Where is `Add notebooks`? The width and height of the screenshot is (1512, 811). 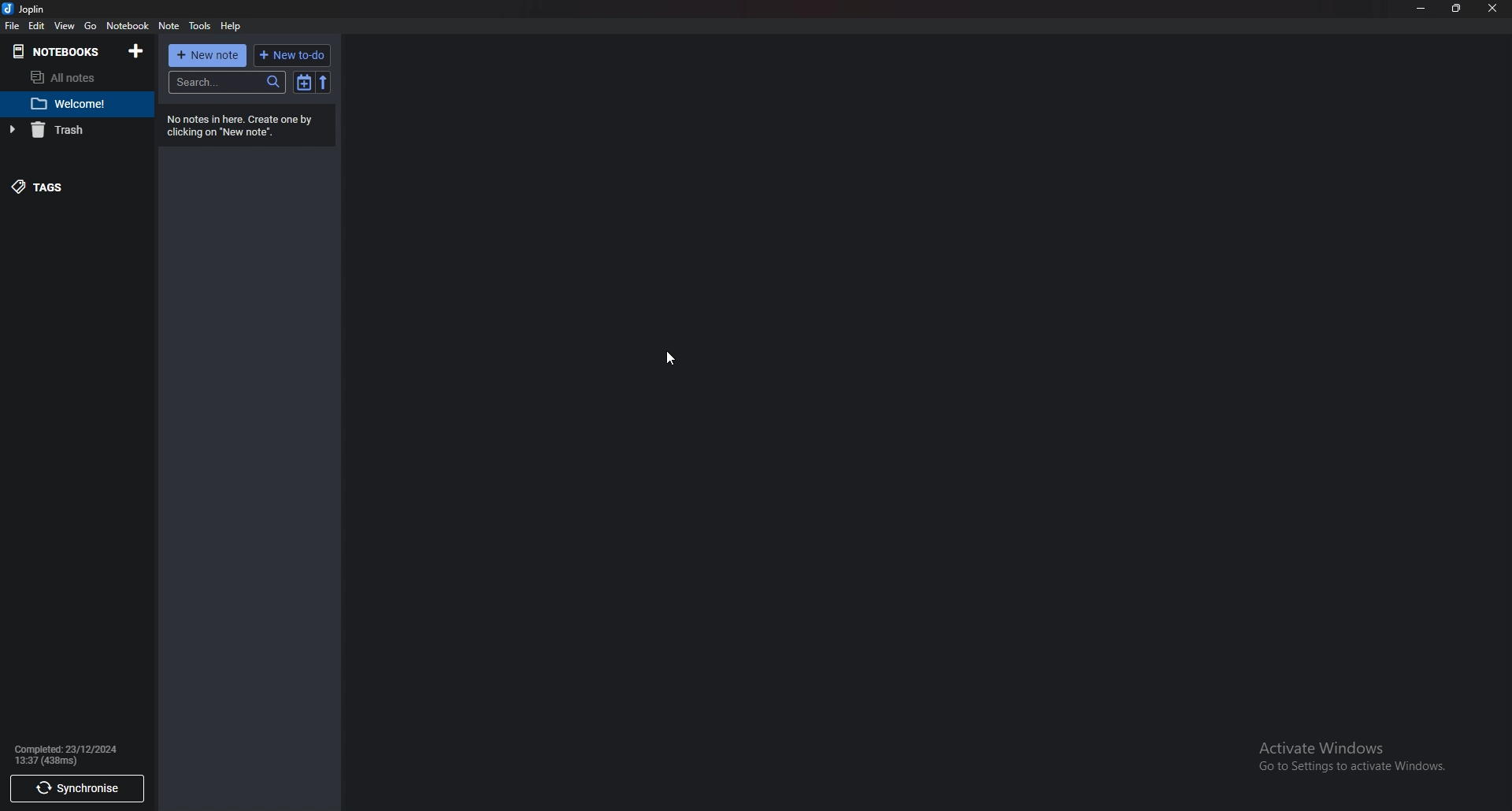
Add notebooks is located at coordinates (136, 50).